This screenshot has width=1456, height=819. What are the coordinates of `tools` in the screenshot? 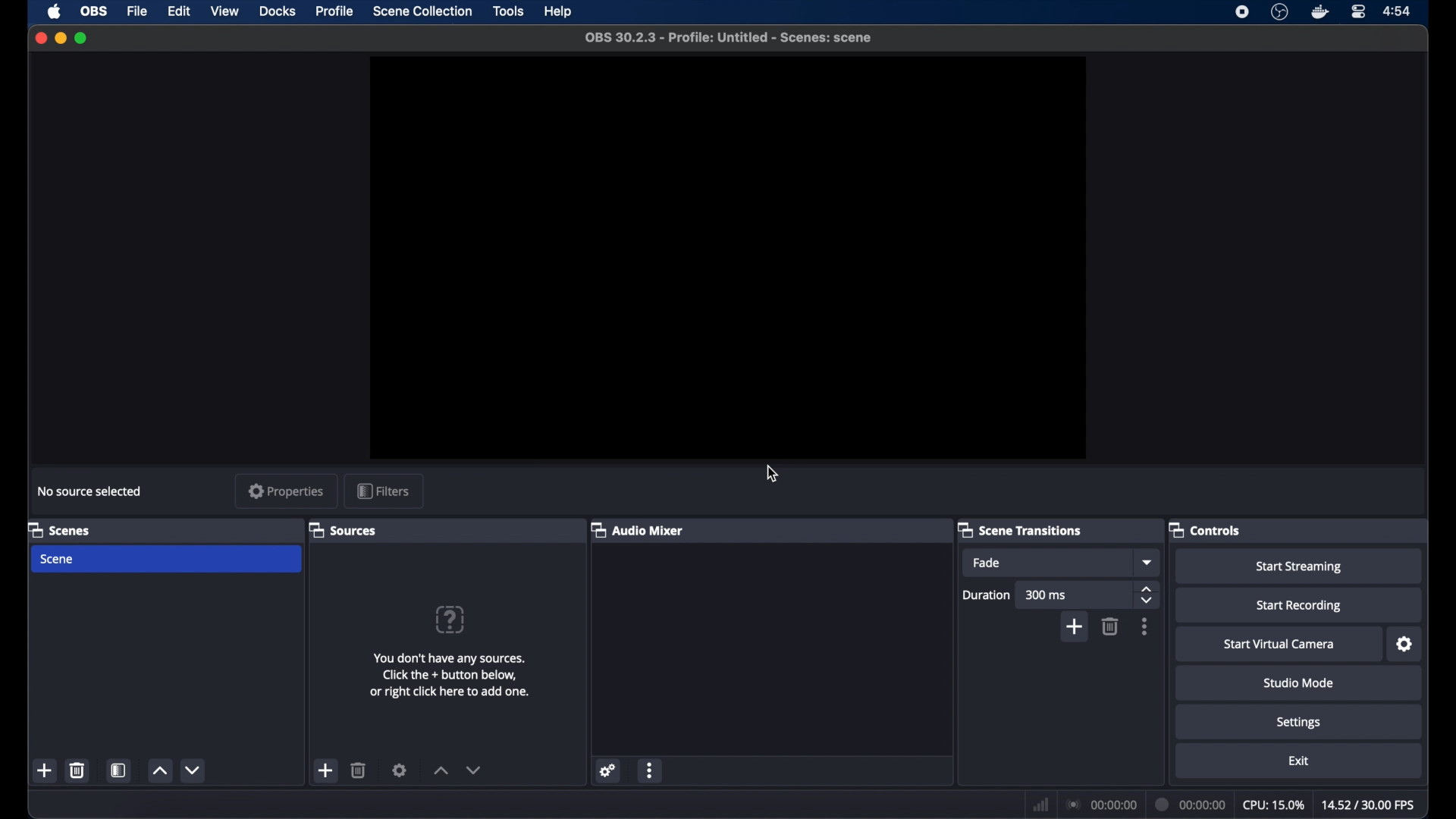 It's located at (508, 11).